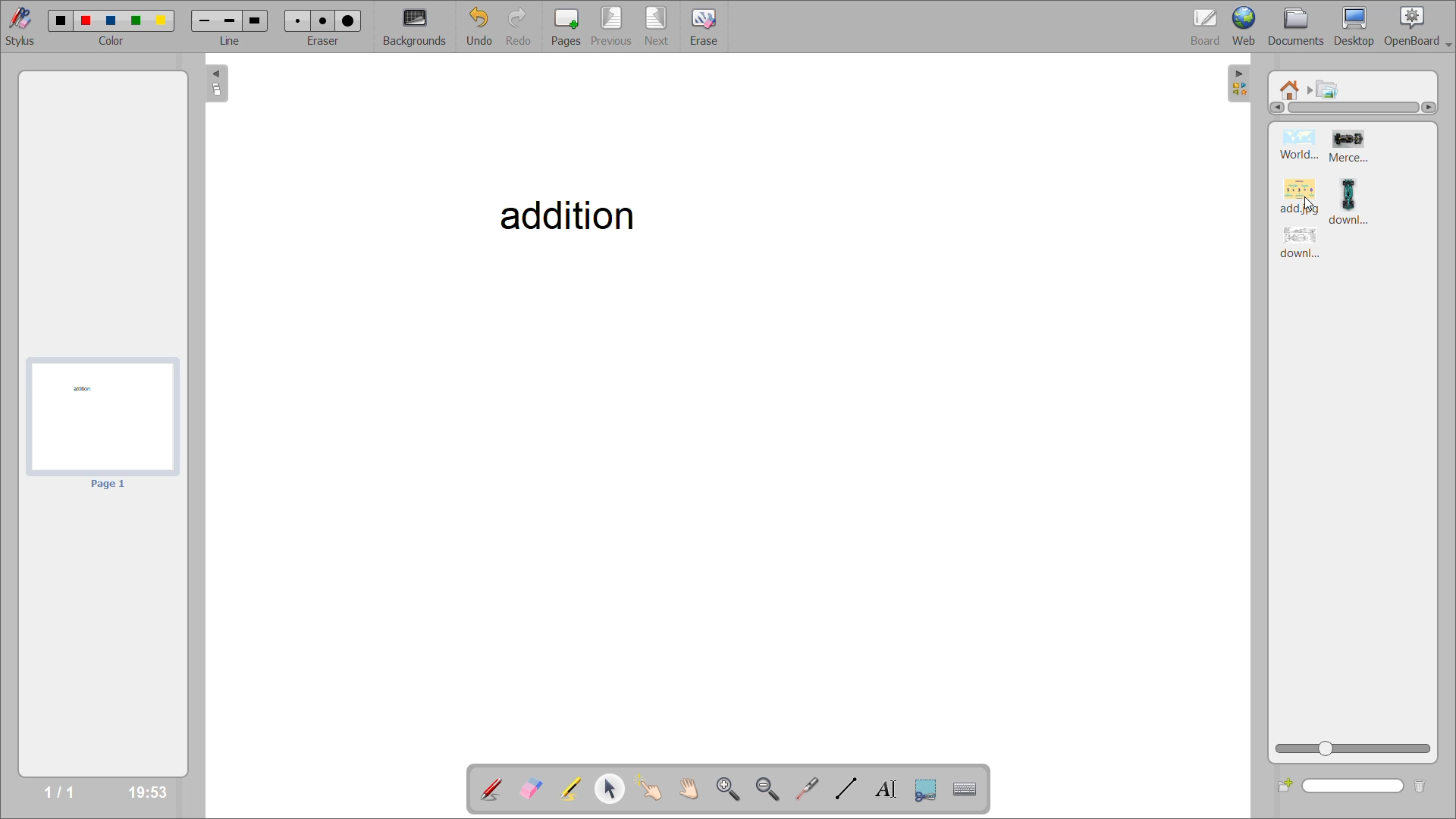 This screenshot has width=1456, height=819. What do you see at coordinates (576, 790) in the screenshot?
I see `highlight` at bounding box center [576, 790].